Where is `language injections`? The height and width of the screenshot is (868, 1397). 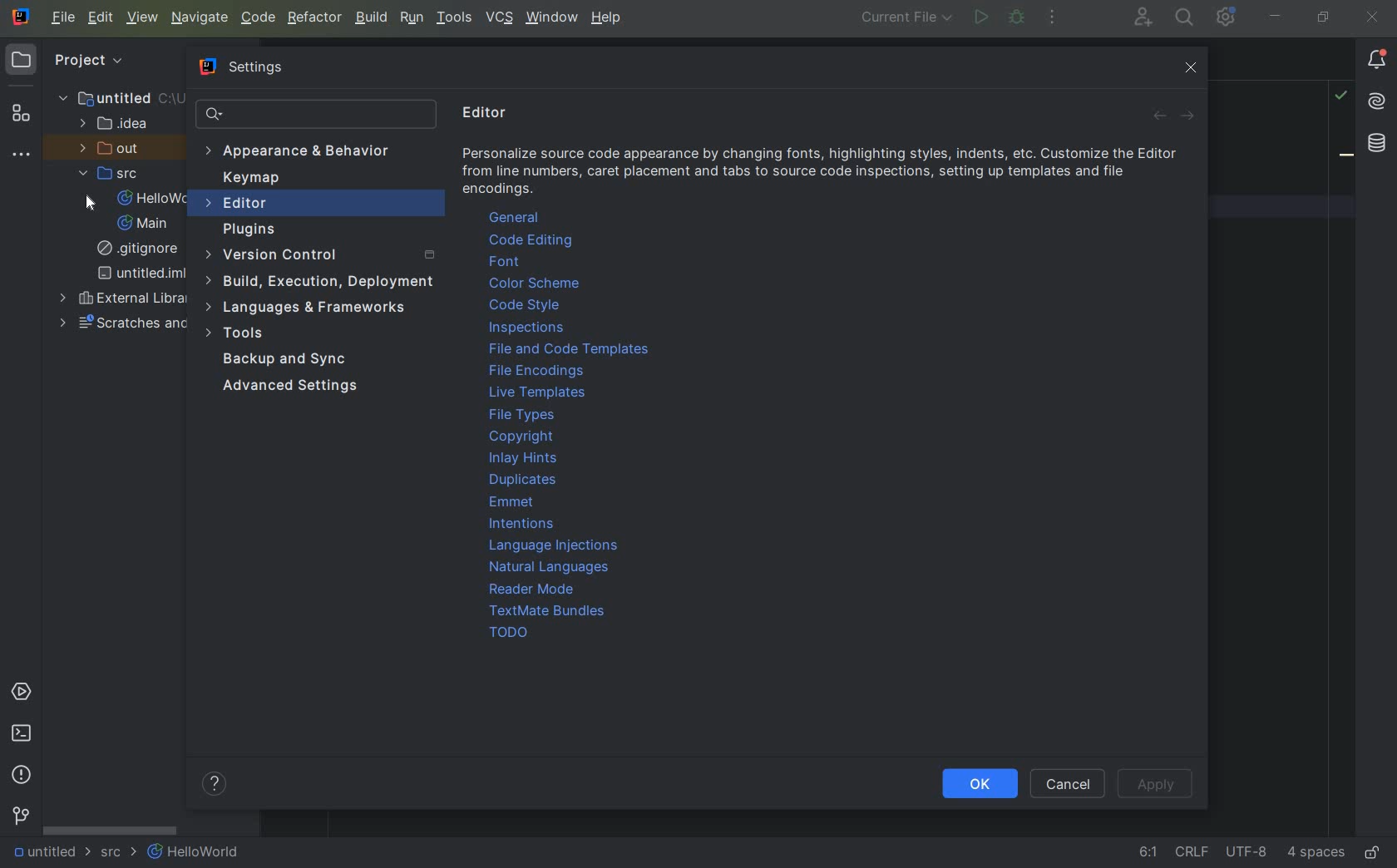 language injections is located at coordinates (555, 546).